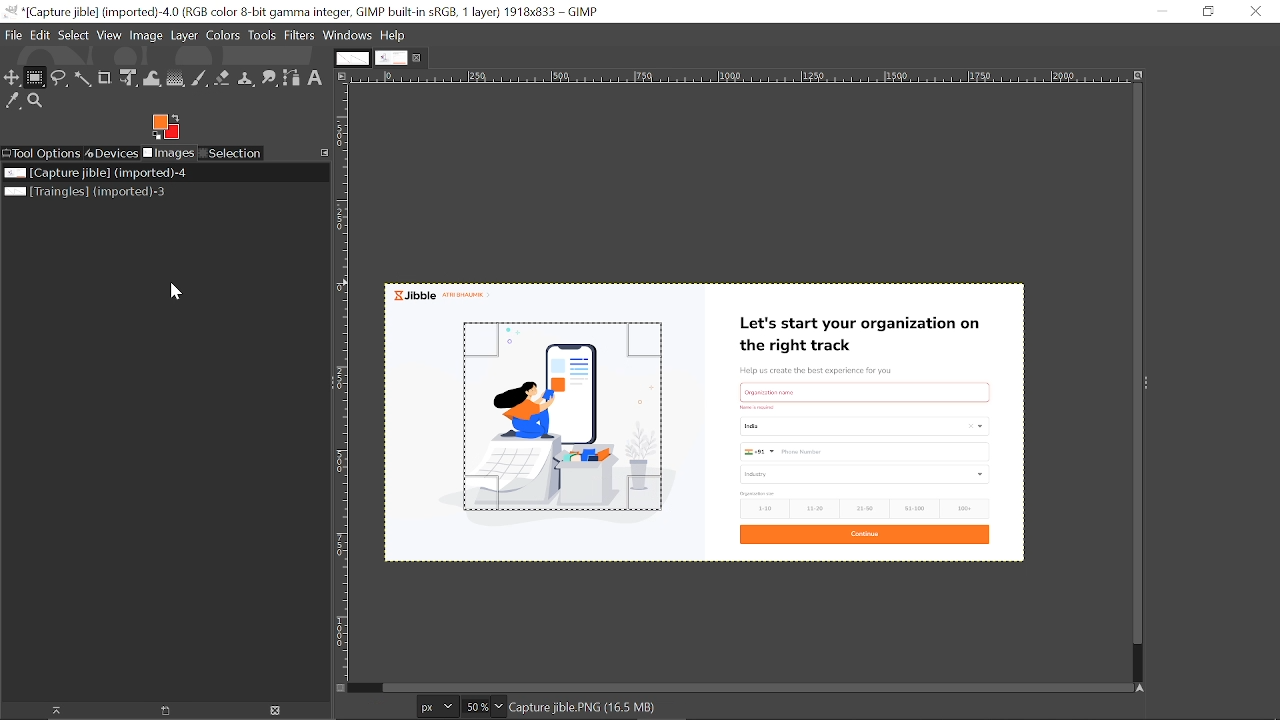  What do you see at coordinates (315, 77) in the screenshot?
I see `Add text` at bounding box center [315, 77].